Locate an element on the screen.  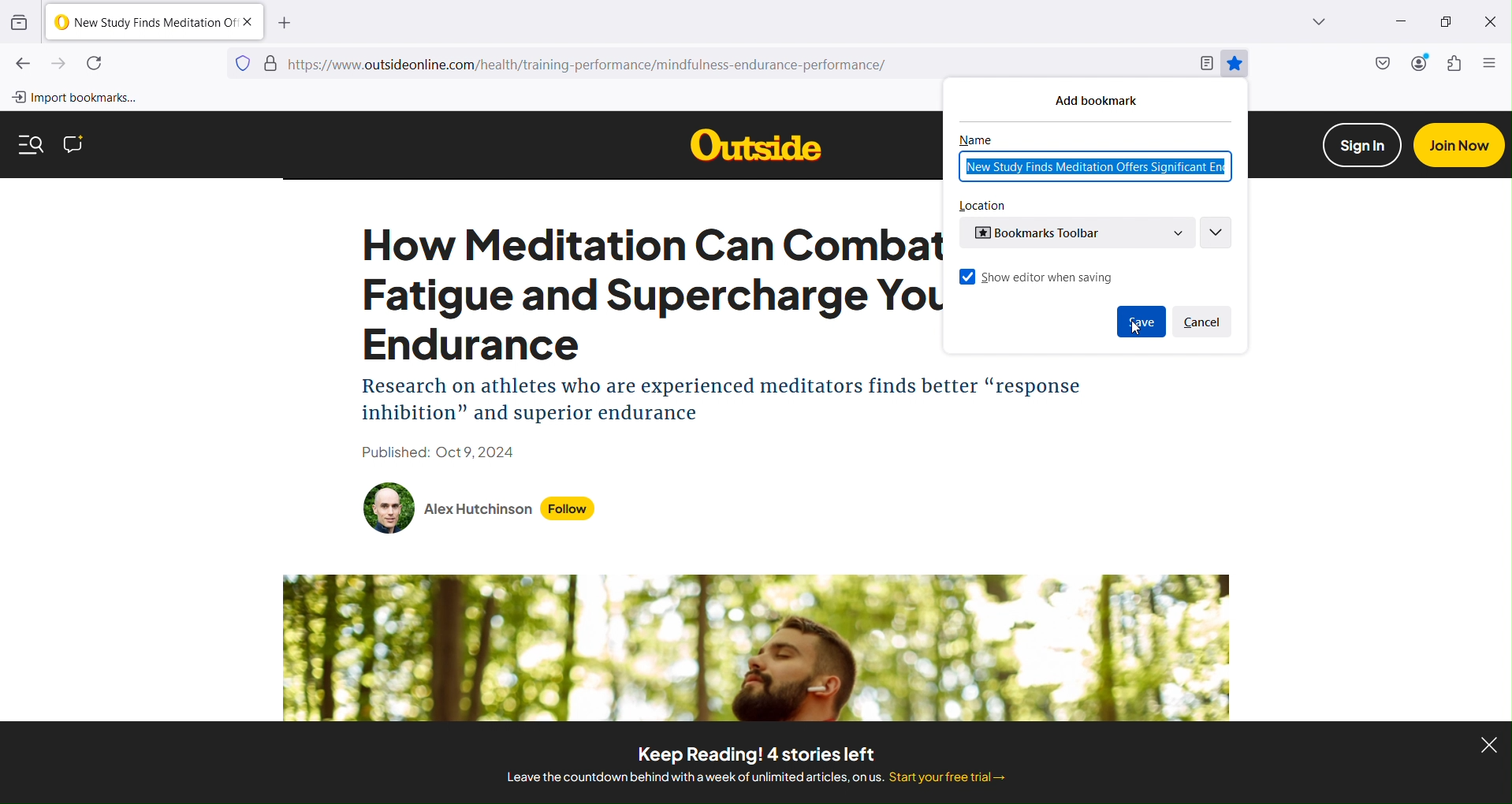
Location is located at coordinates (983, 206).